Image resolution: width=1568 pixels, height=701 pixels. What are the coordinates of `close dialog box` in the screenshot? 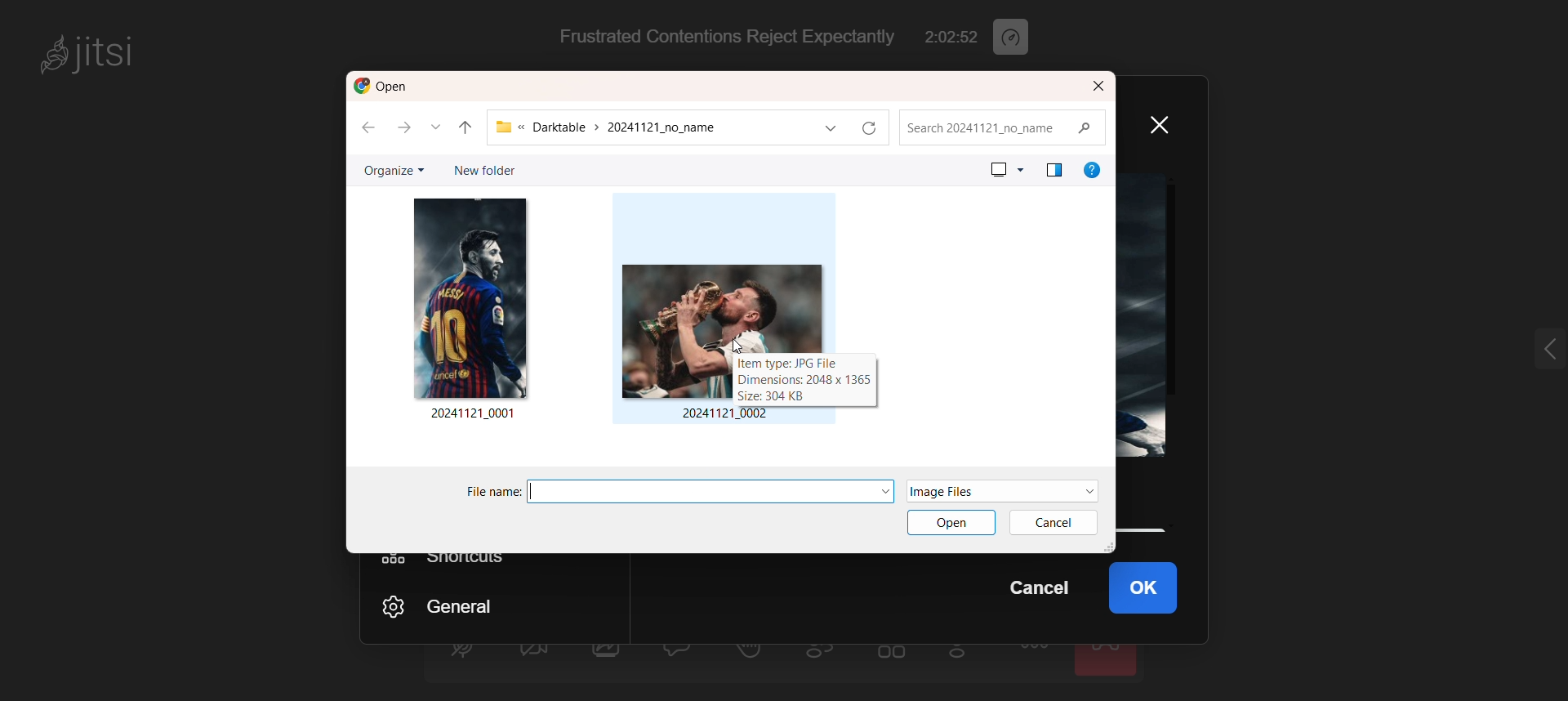 It's located at (1098, 87).